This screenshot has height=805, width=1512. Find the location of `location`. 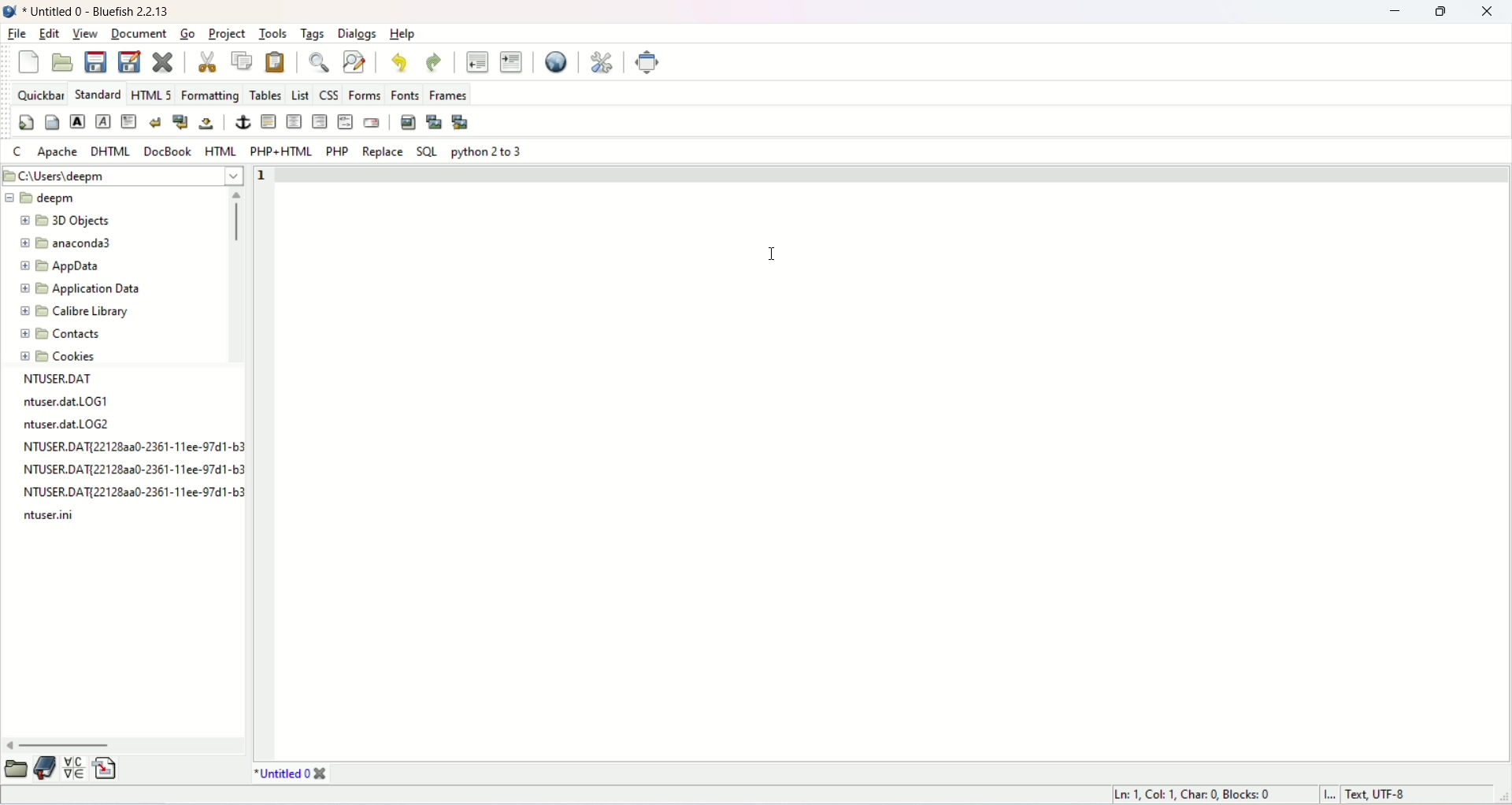

location is located at coordinates (124, 175).